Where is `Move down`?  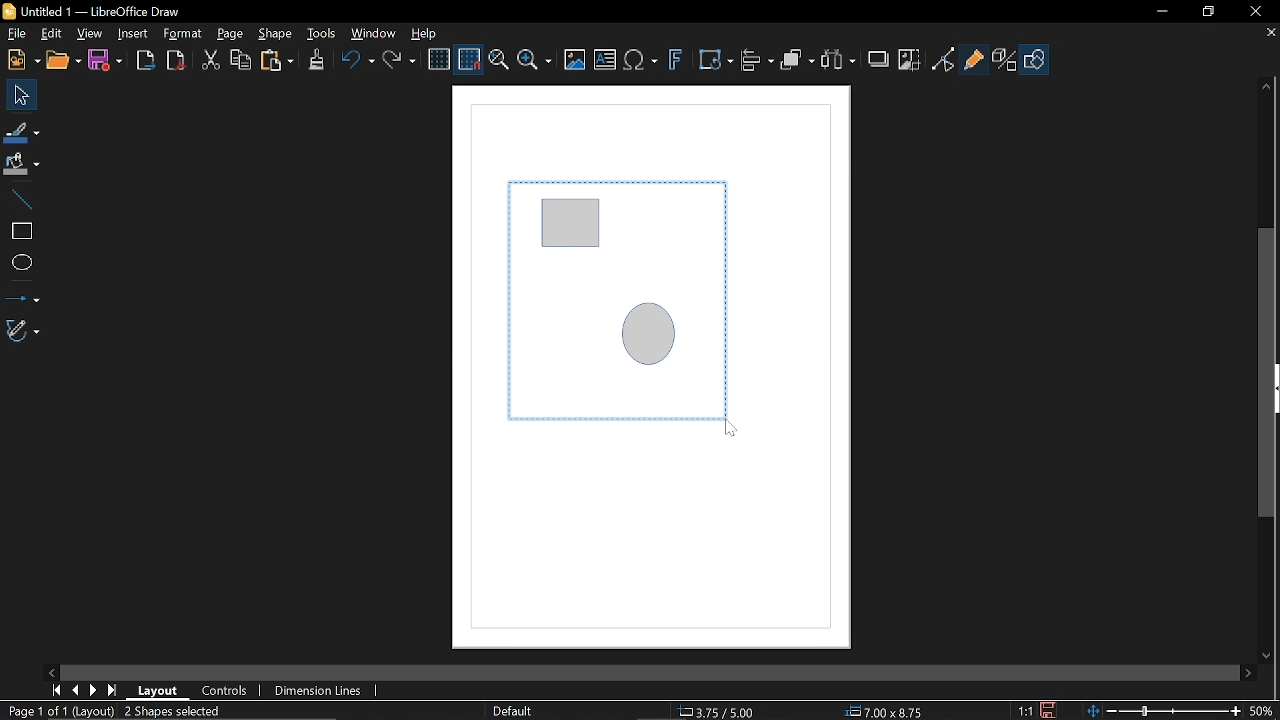
Move down is located at coordinates (1267, 657).